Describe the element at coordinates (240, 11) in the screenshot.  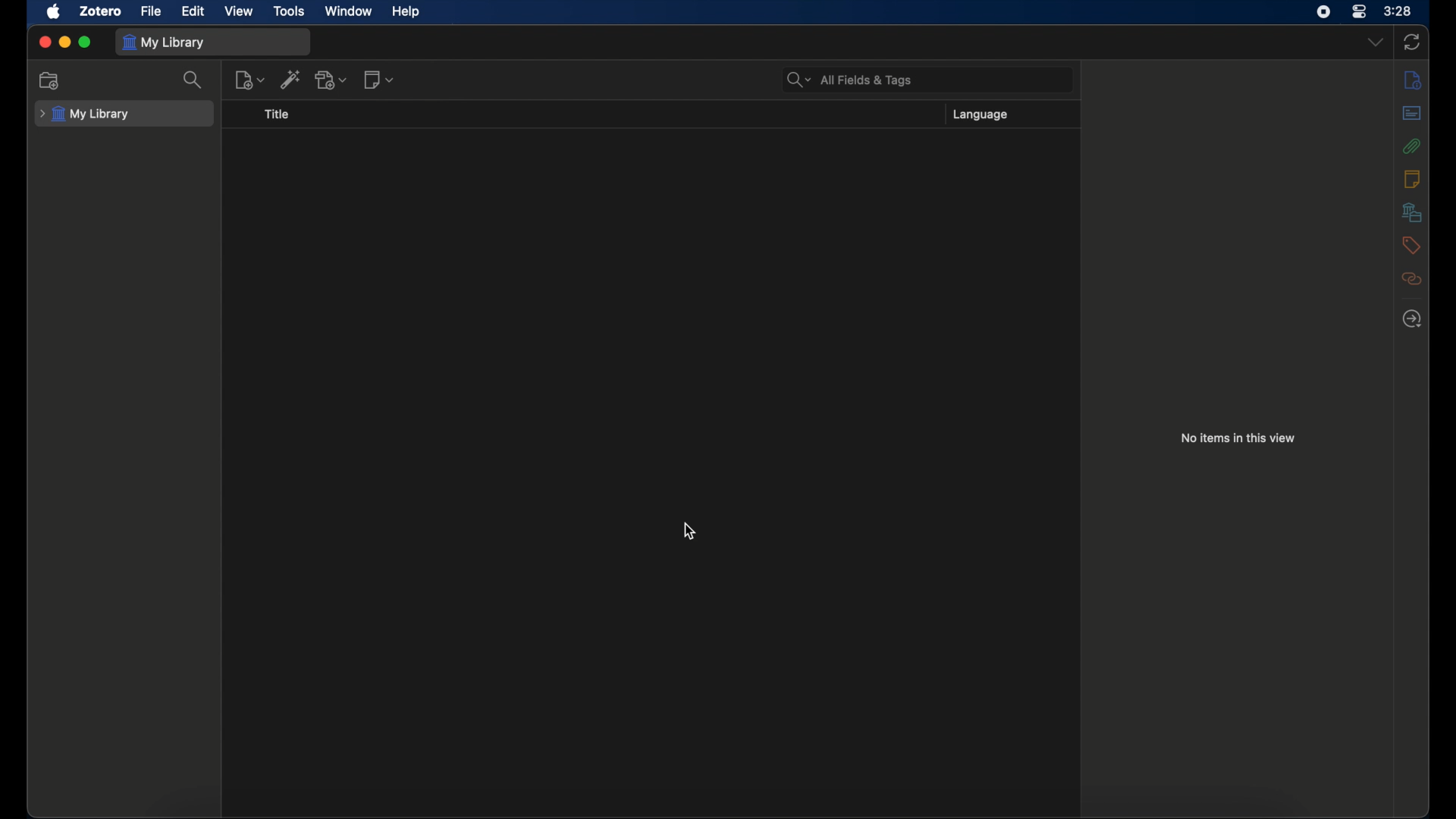
I see `view` at that location.